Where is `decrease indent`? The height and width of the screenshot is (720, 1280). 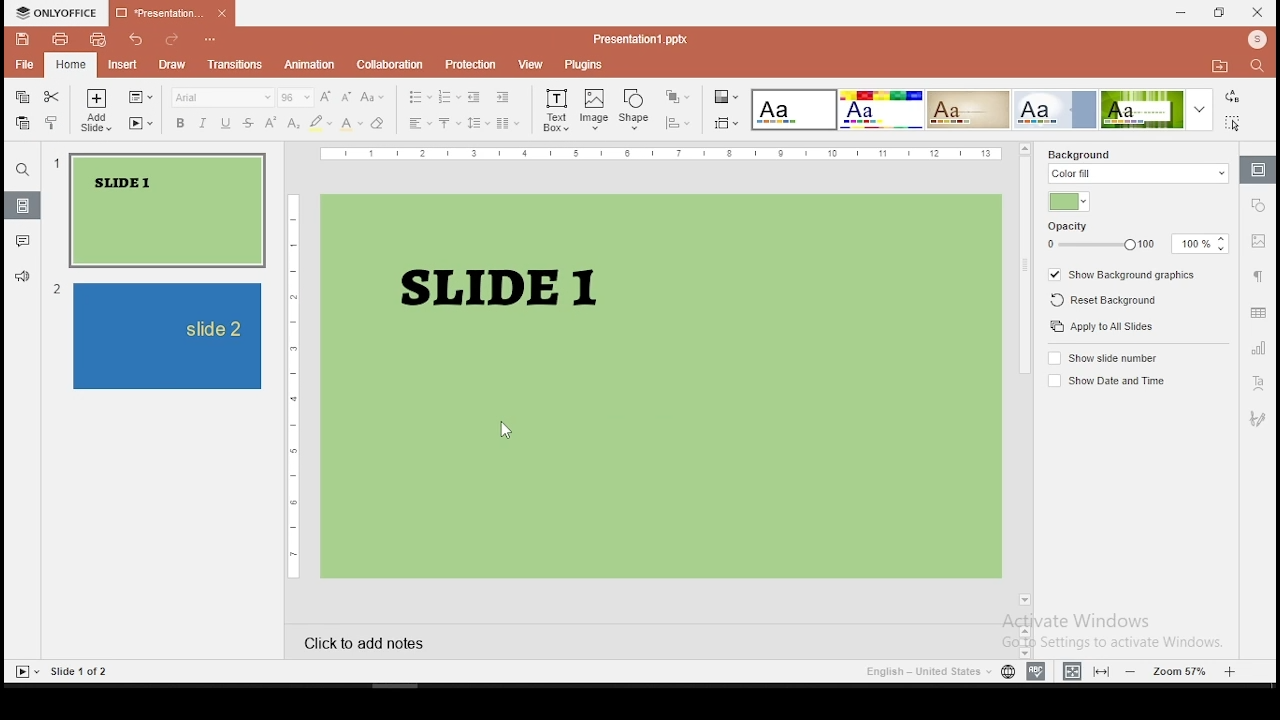
decrease indent is located at coordinates (474, 96).